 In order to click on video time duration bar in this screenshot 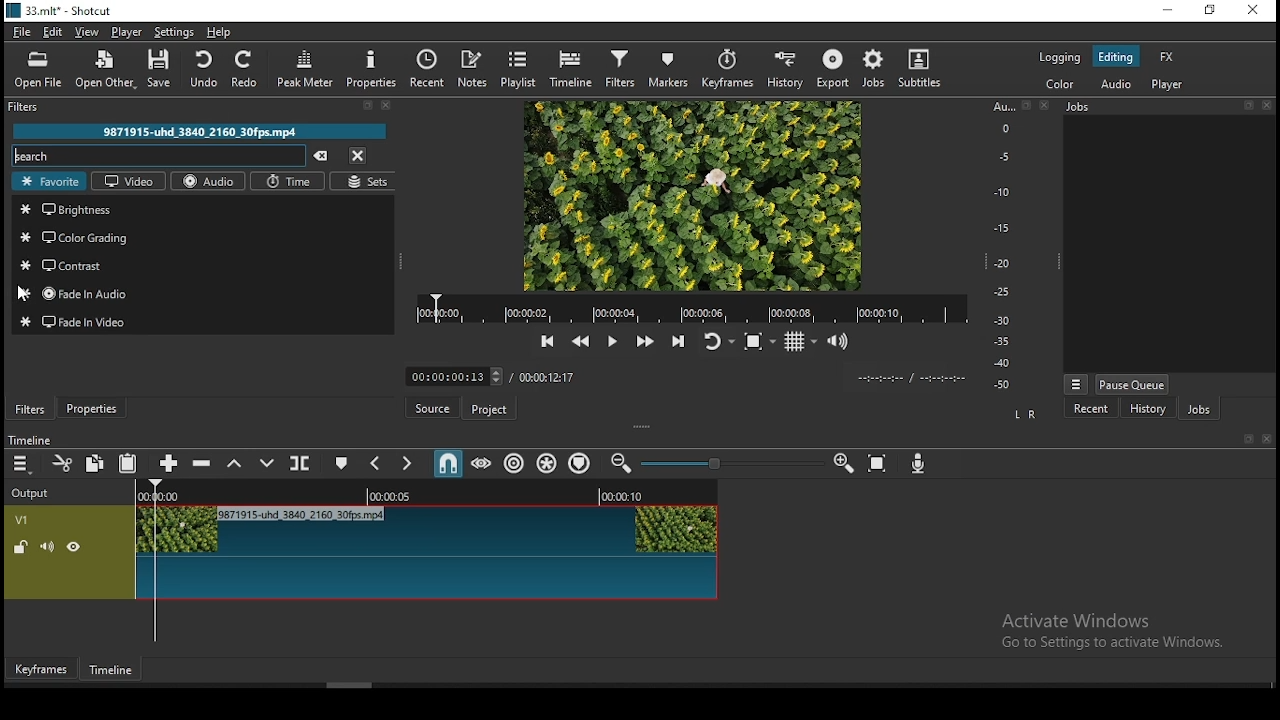, I will do `click(691, 307)`.